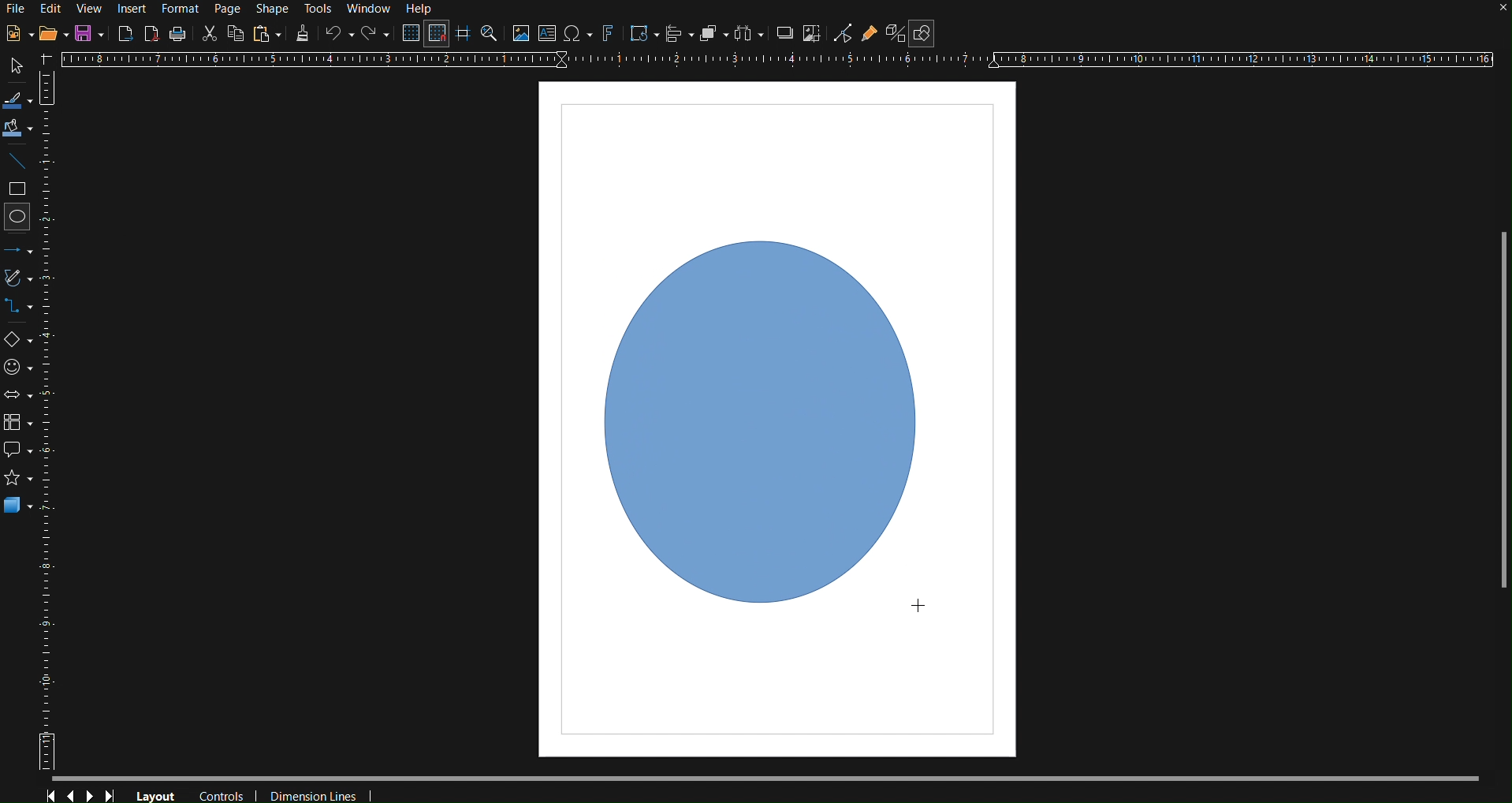 This screenshot has width=1512, height=803. Describe the element at coordinates (317, 793) in the screenshot. I see `Dimension Lines` at that location.